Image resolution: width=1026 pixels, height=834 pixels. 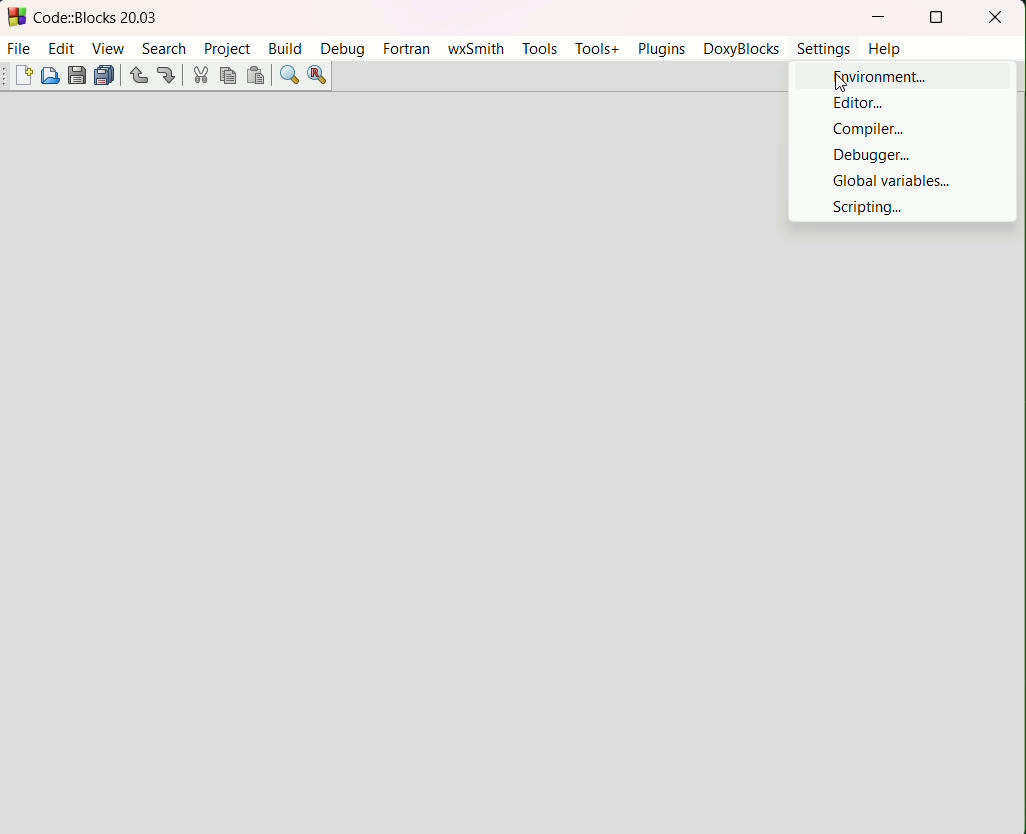 I want to click on logo and name, so click(x=18, y=18).